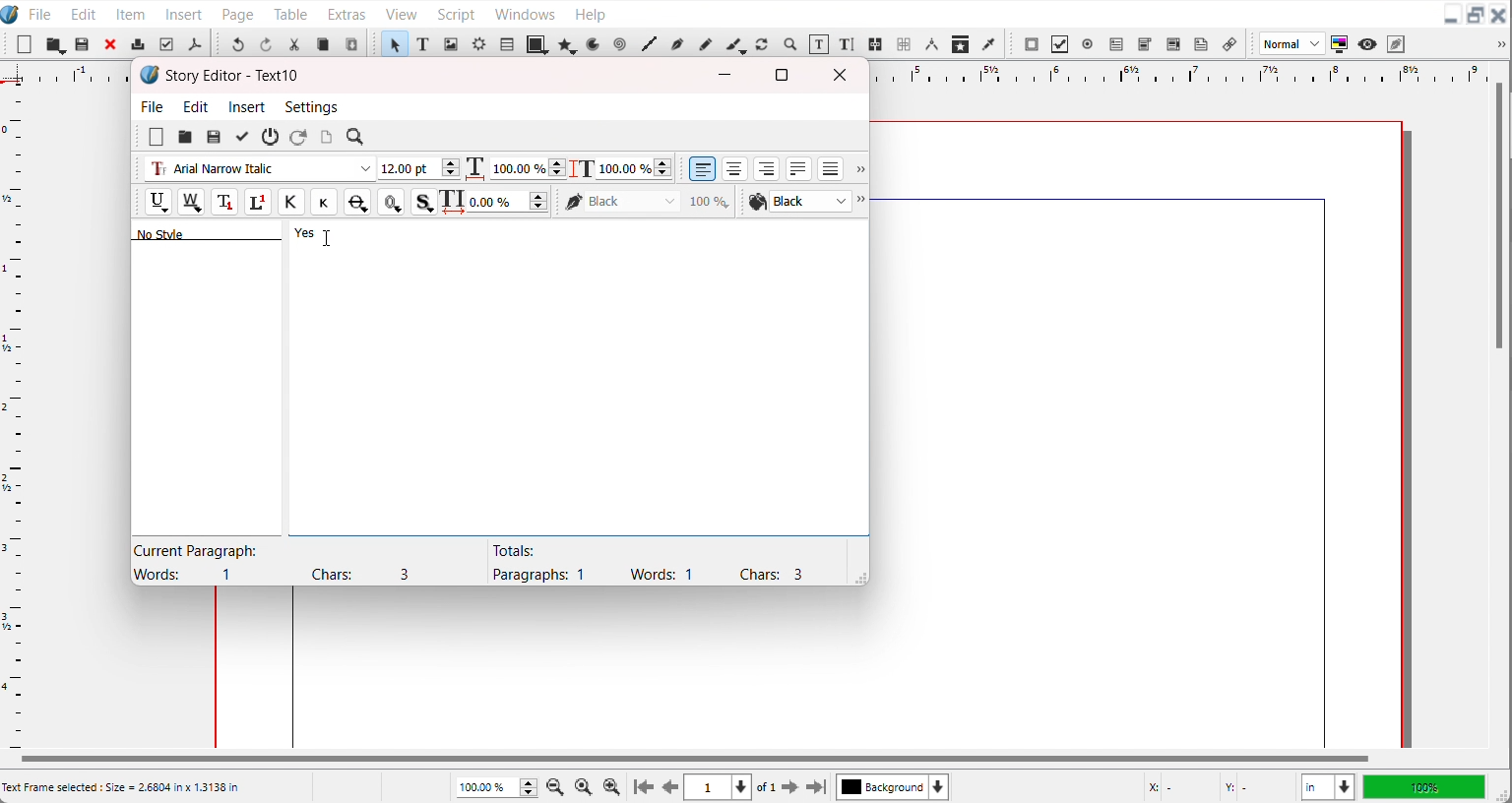  Describe the element at coordinates (1216, 786) in the screenshot. I see `X,Y Co-ordinate` at that location.